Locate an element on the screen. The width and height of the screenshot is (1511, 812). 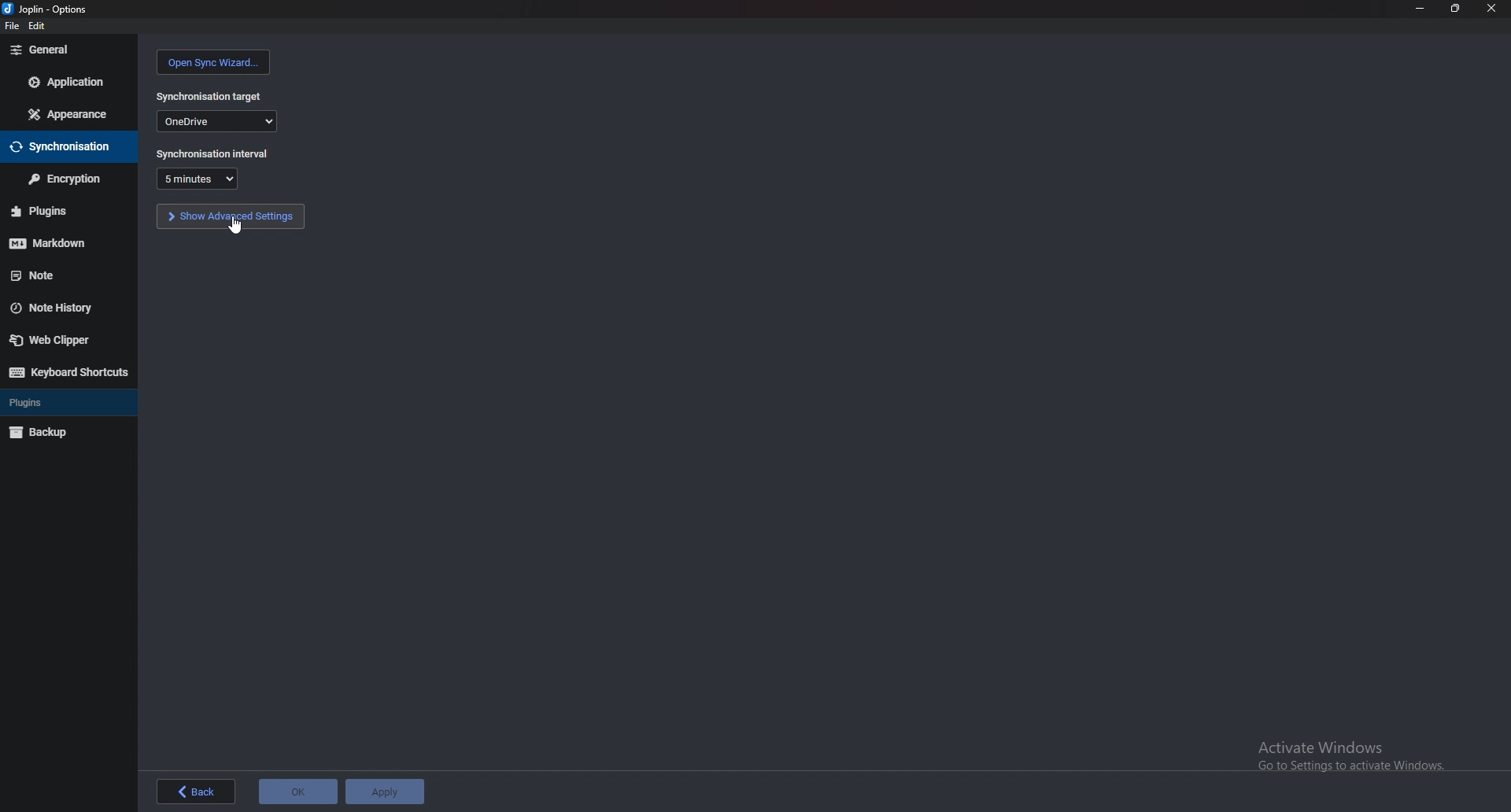
one drive is located at coordinates (216, 120).